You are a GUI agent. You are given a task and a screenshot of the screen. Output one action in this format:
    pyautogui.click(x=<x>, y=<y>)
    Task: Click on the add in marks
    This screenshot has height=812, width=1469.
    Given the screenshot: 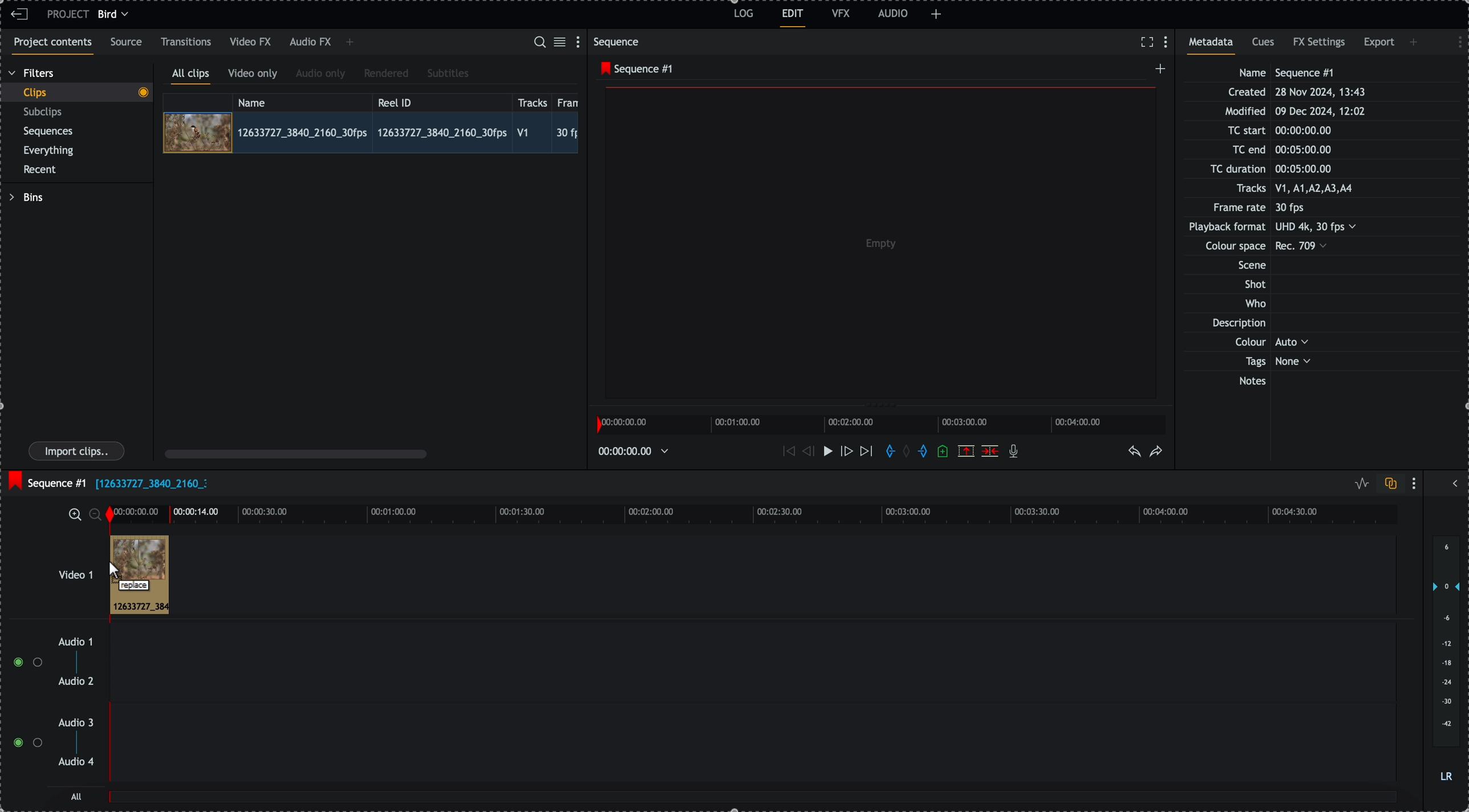 What is the action you would take?
    pyautogui.click(x=888, y=452)
    